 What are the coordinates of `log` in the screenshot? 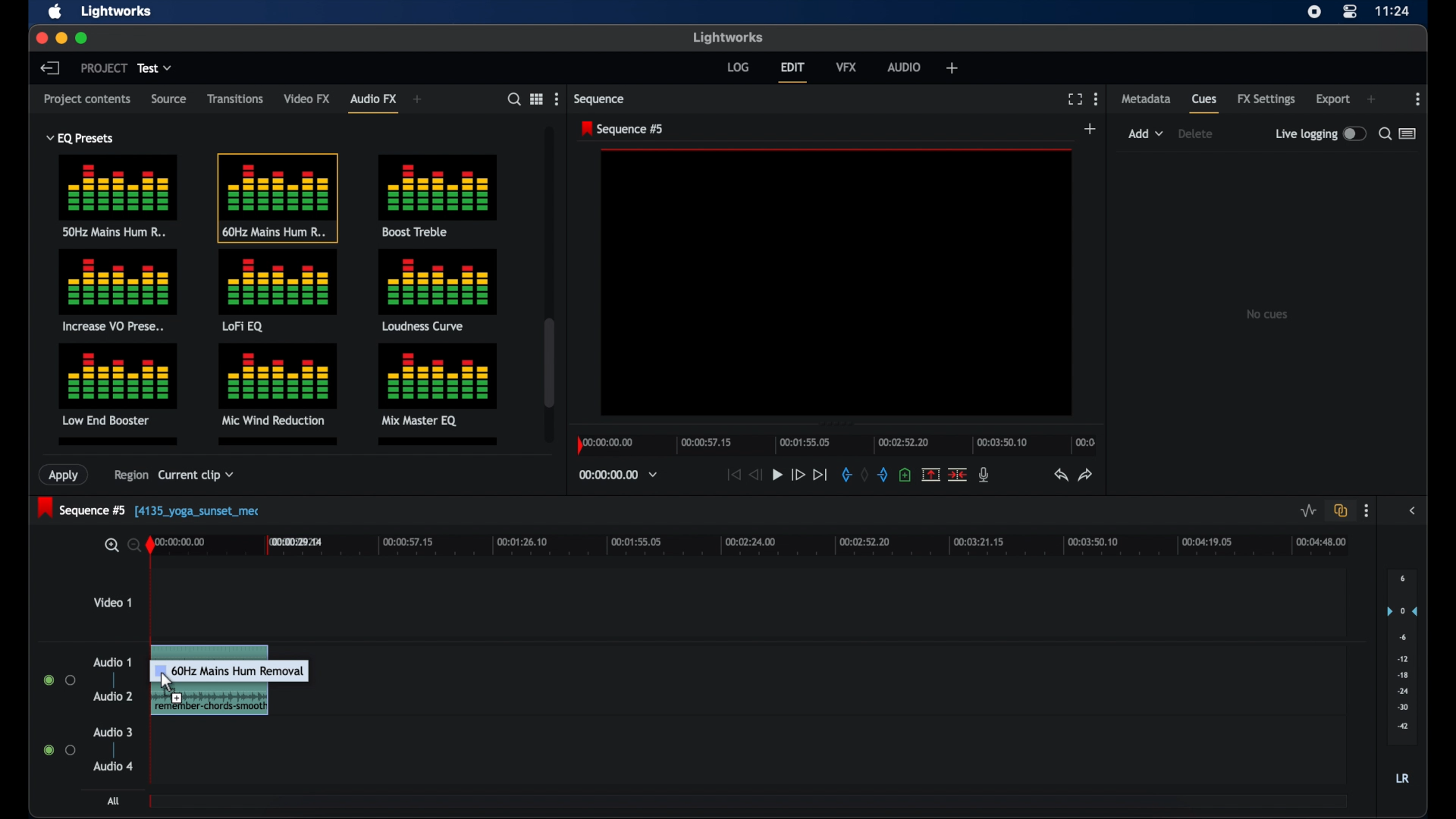 It's located at (738, 67).